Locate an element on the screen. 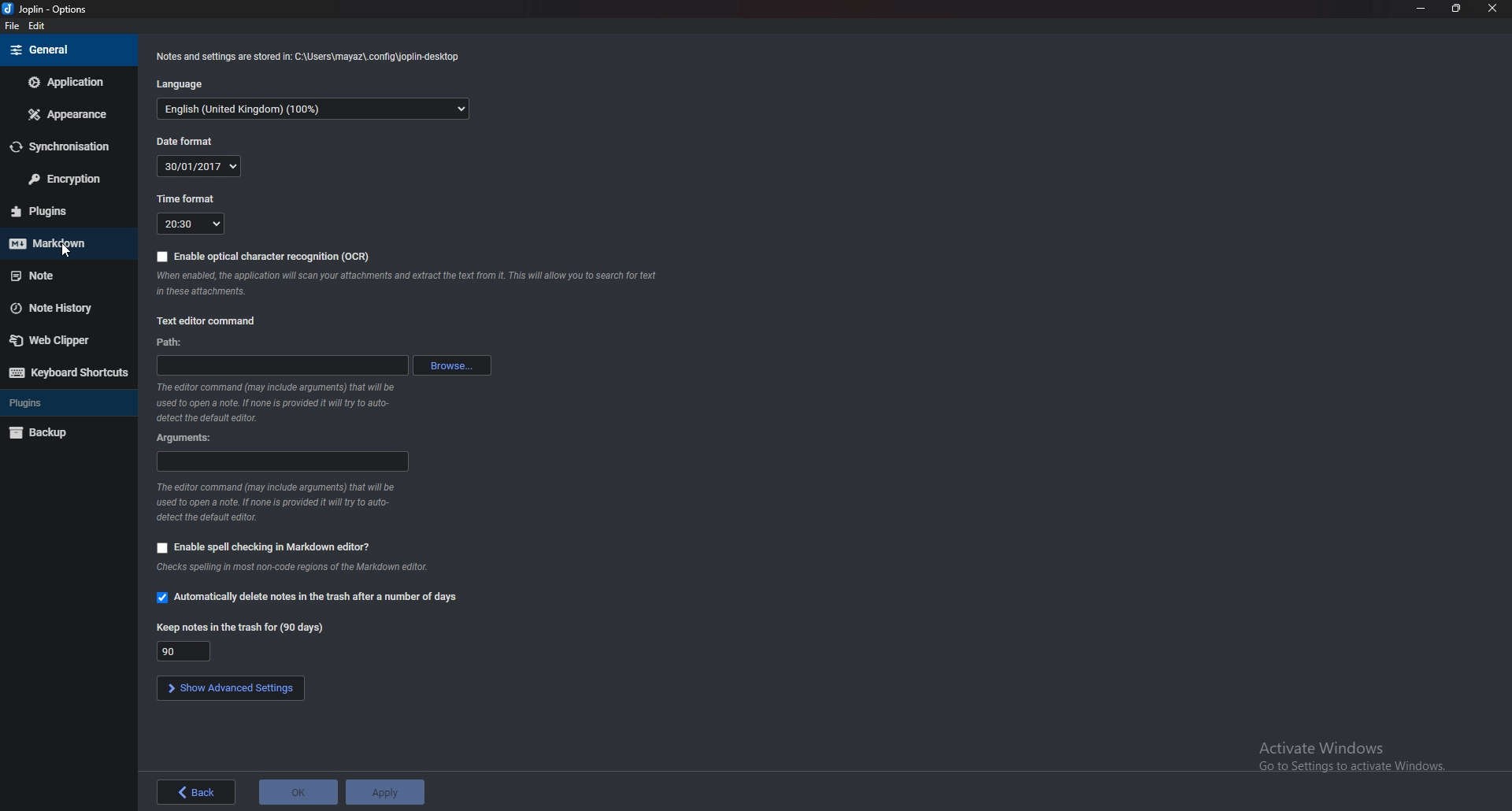 Image resolution: width=1512 pixels, height=811 pixels. note history is located at coordinates (62, 308).